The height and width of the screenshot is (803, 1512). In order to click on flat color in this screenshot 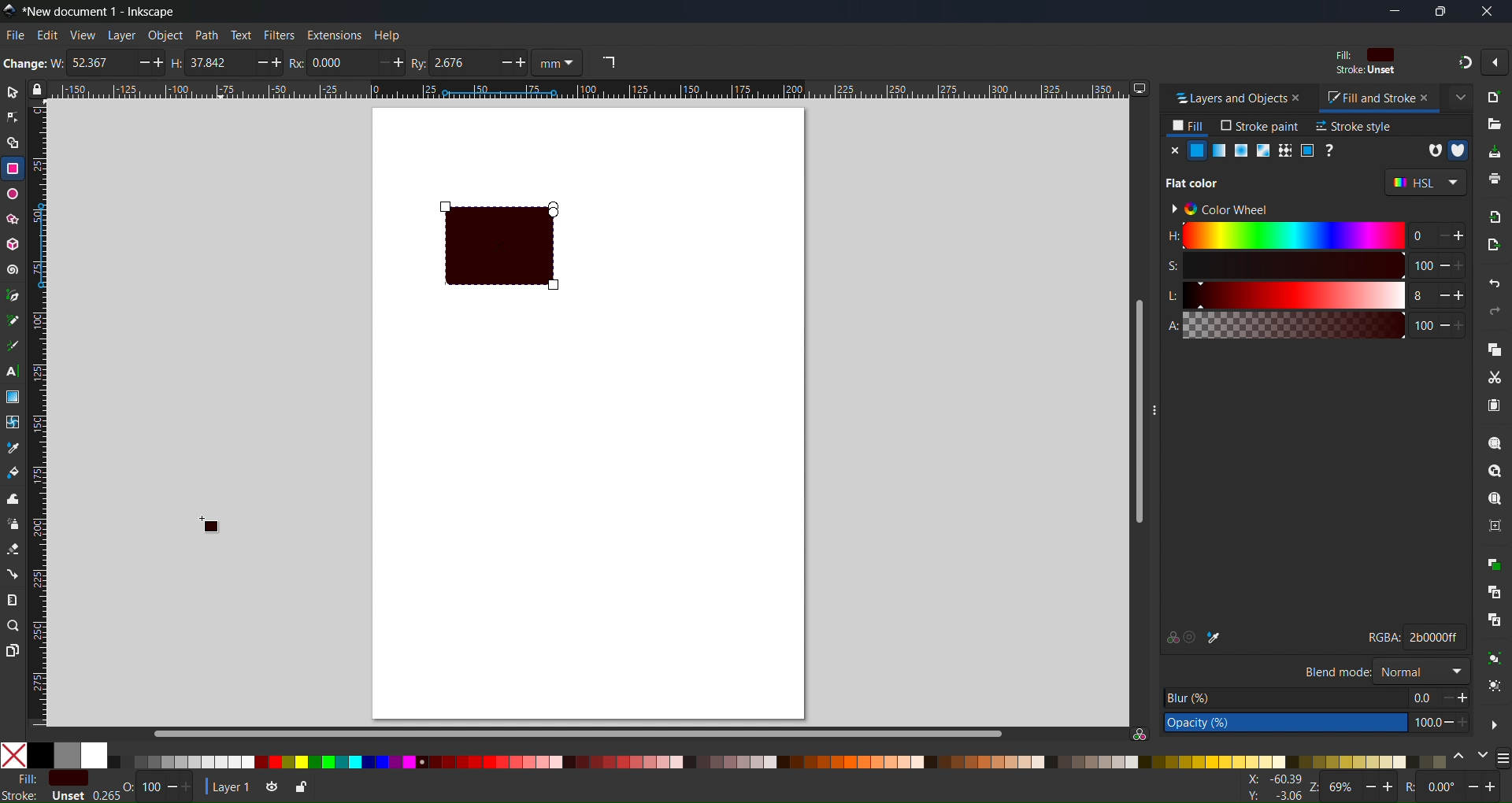, I will do `click(1199, 182)`.